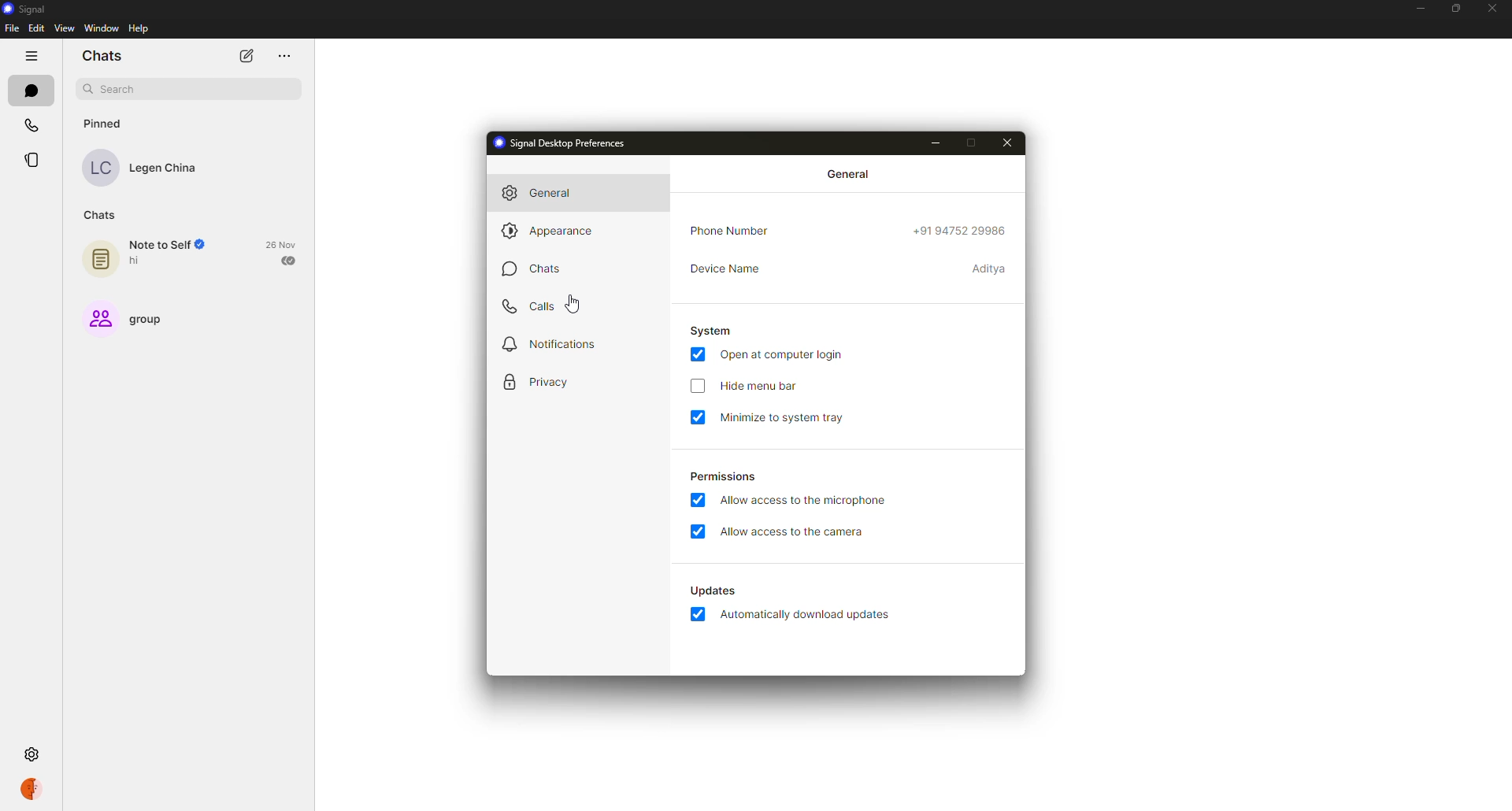 This screenshot has width=1512, height=811. Describe the element at coordinates (697, 615) in the screenshot. I see `enabled` at that location.